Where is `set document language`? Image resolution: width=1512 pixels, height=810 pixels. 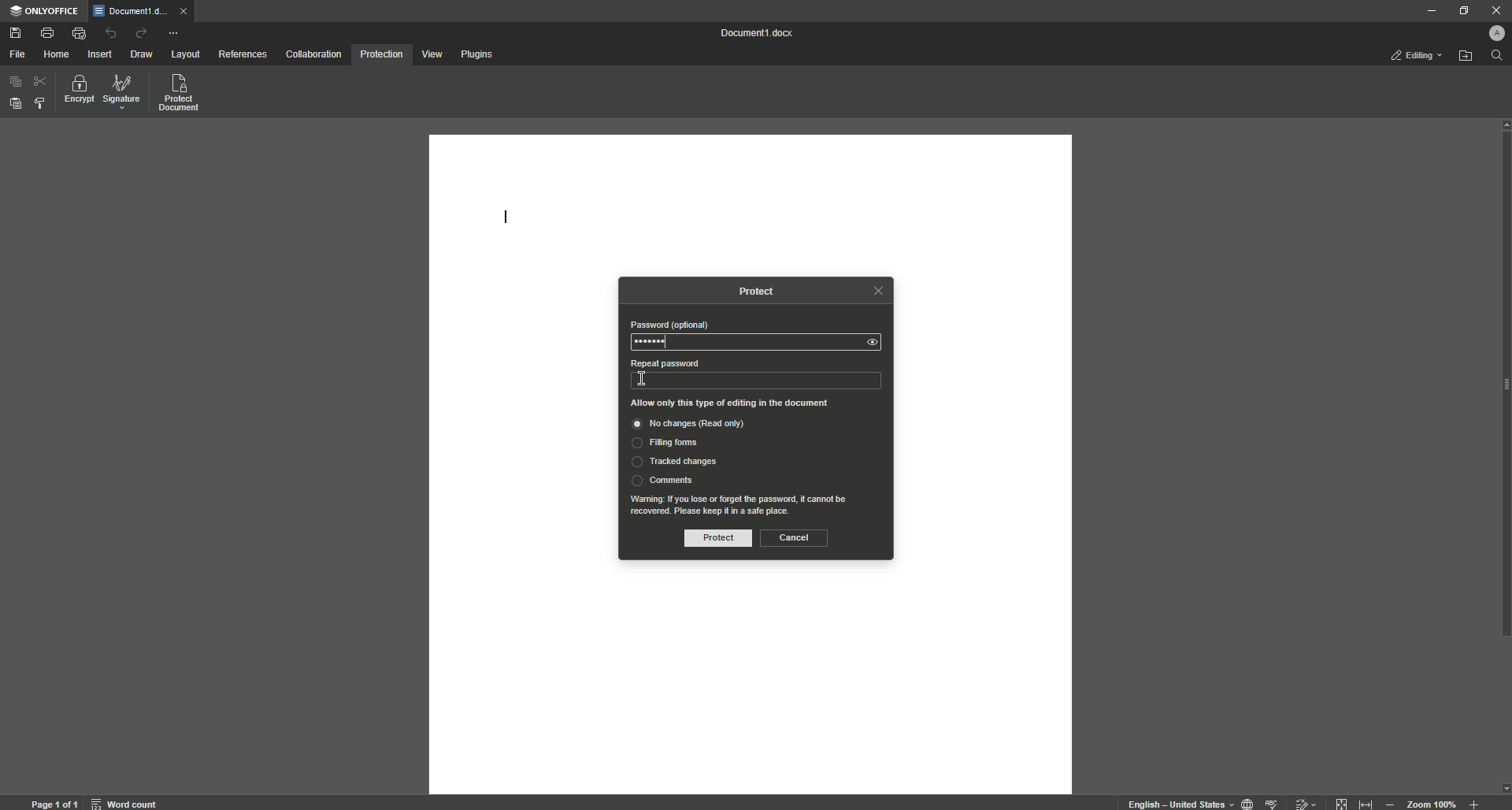
set document language is located at coordinates (1247, 802).